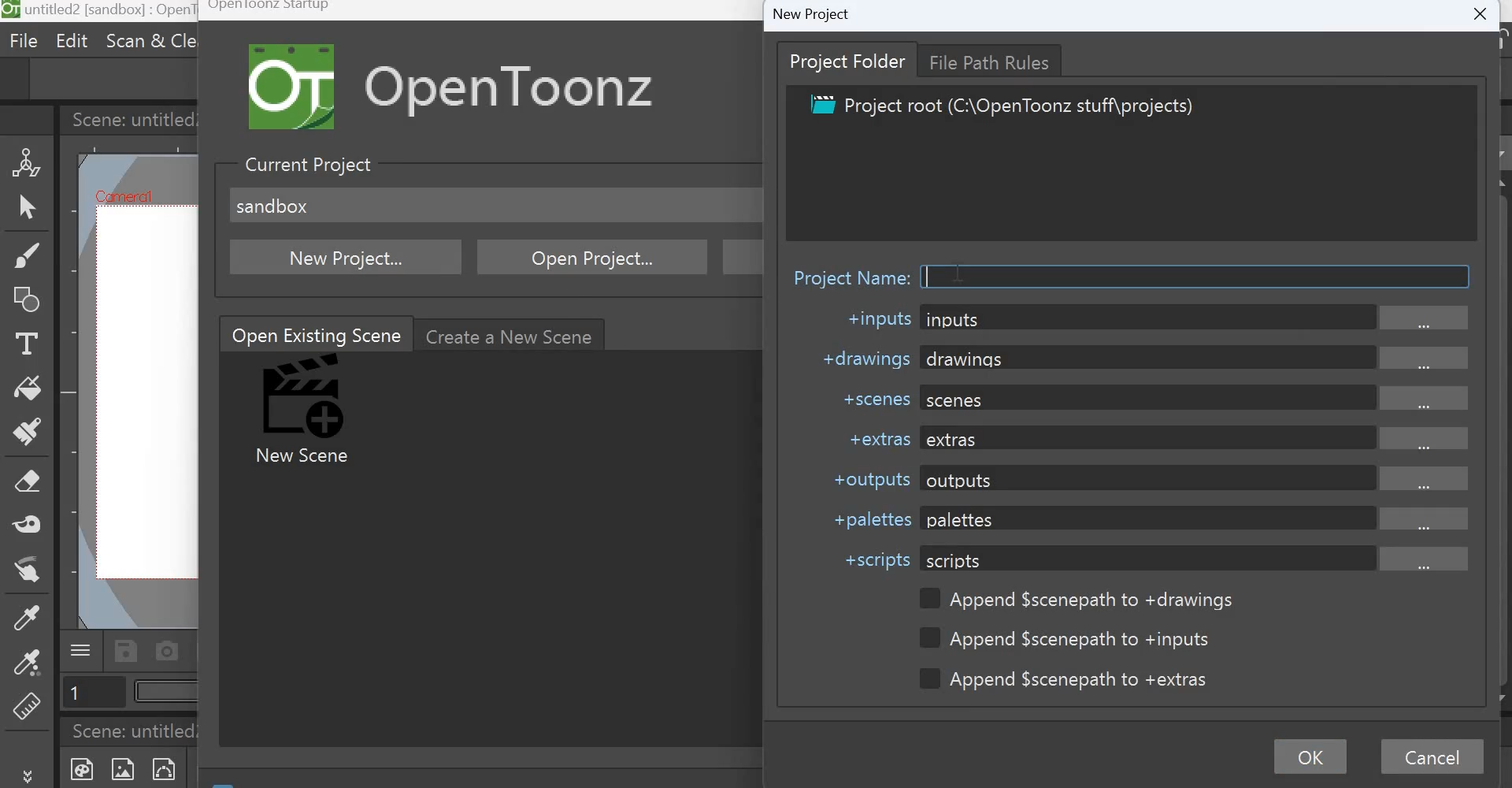  What do you see at coordinates (1477, 17) in the screenshot?
I see `Close window` at bounding box center [1477, 17].